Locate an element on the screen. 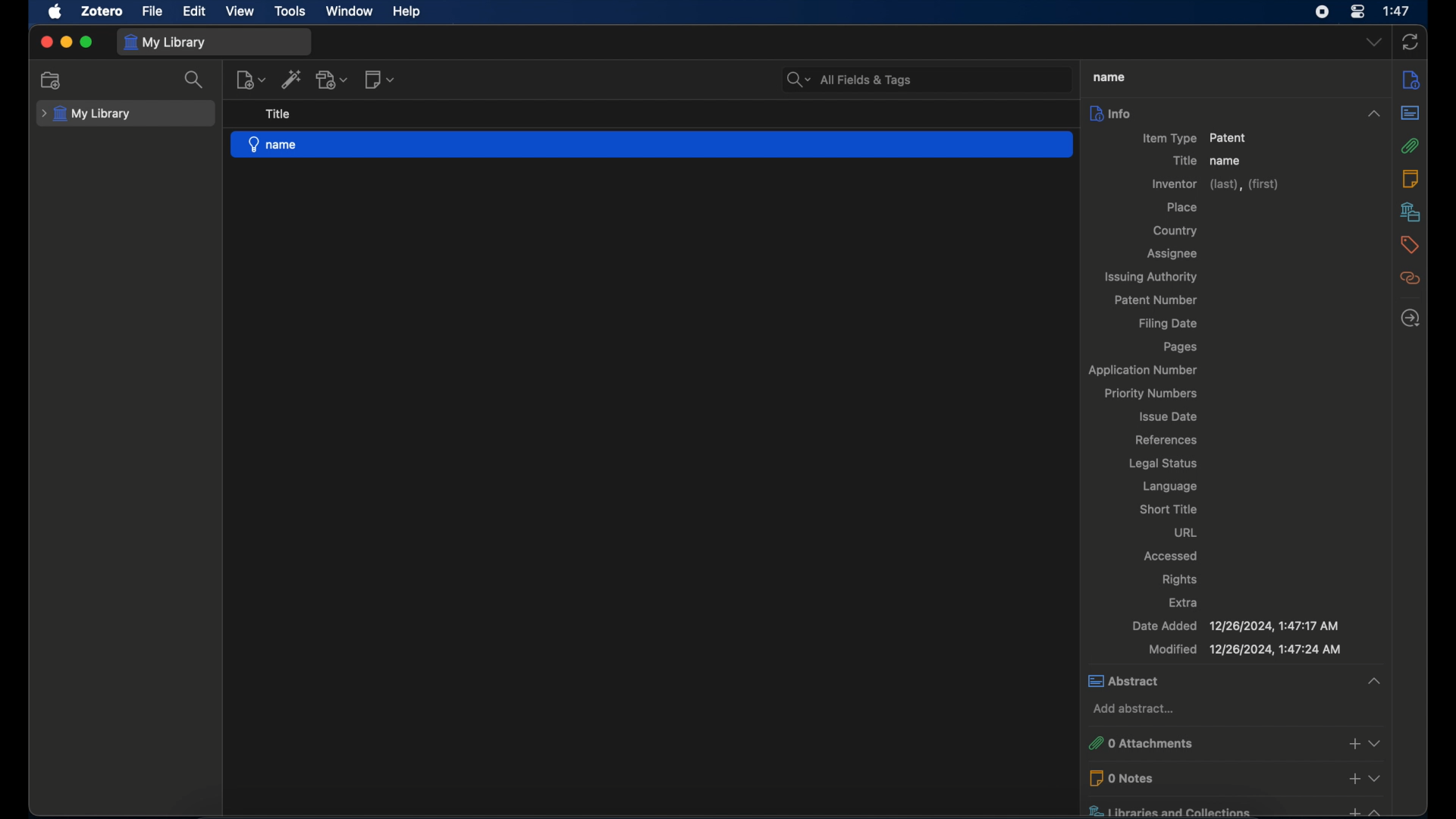 The height and width of the screenshot is (819, 1456). info is located at coordinates (1216, 112).